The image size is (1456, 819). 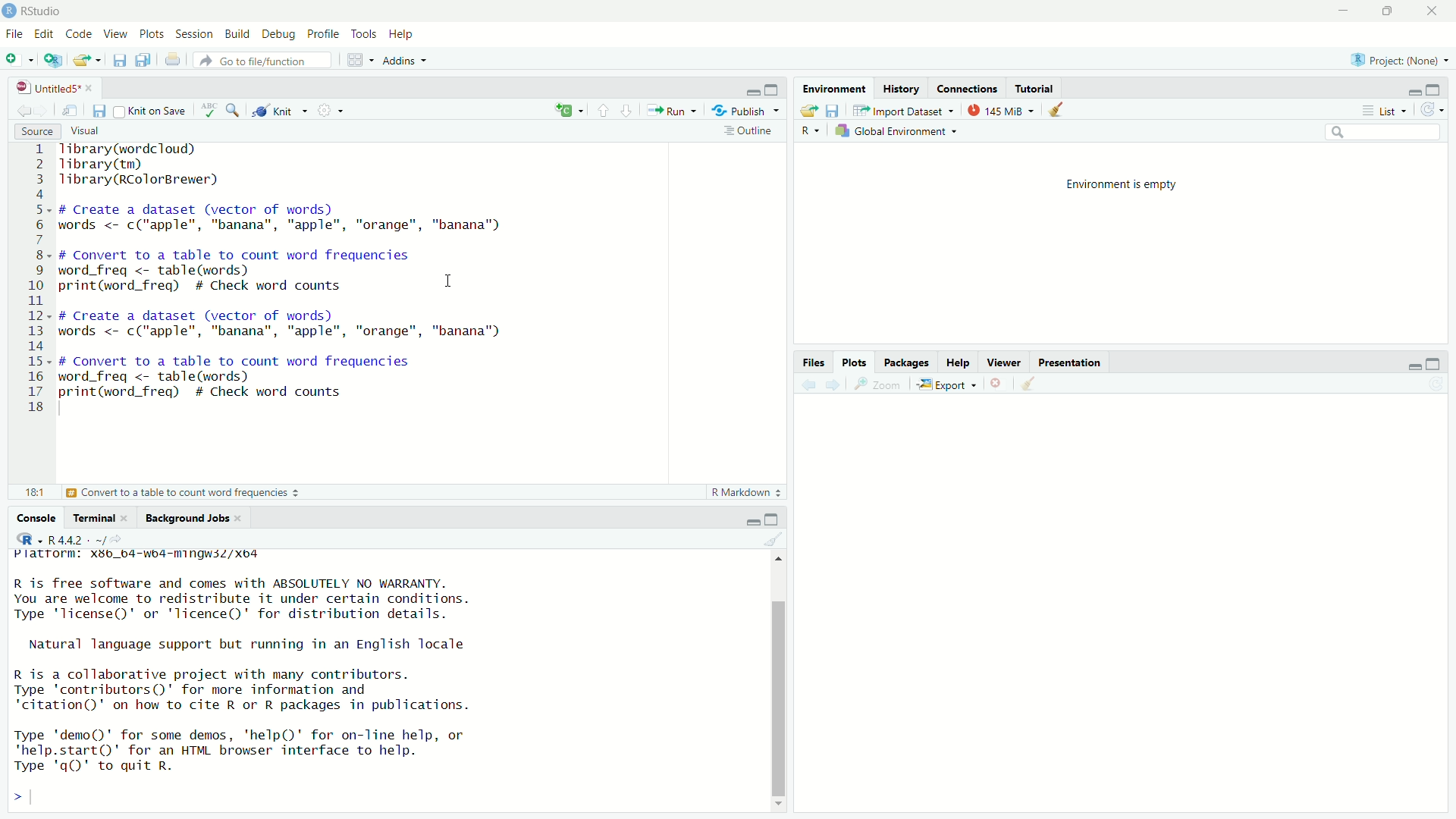 What do you see at coordinates (184, 491) in the screenshot?
I see `Convert to a table to count word frequencies` at bounding box center [184, 491].